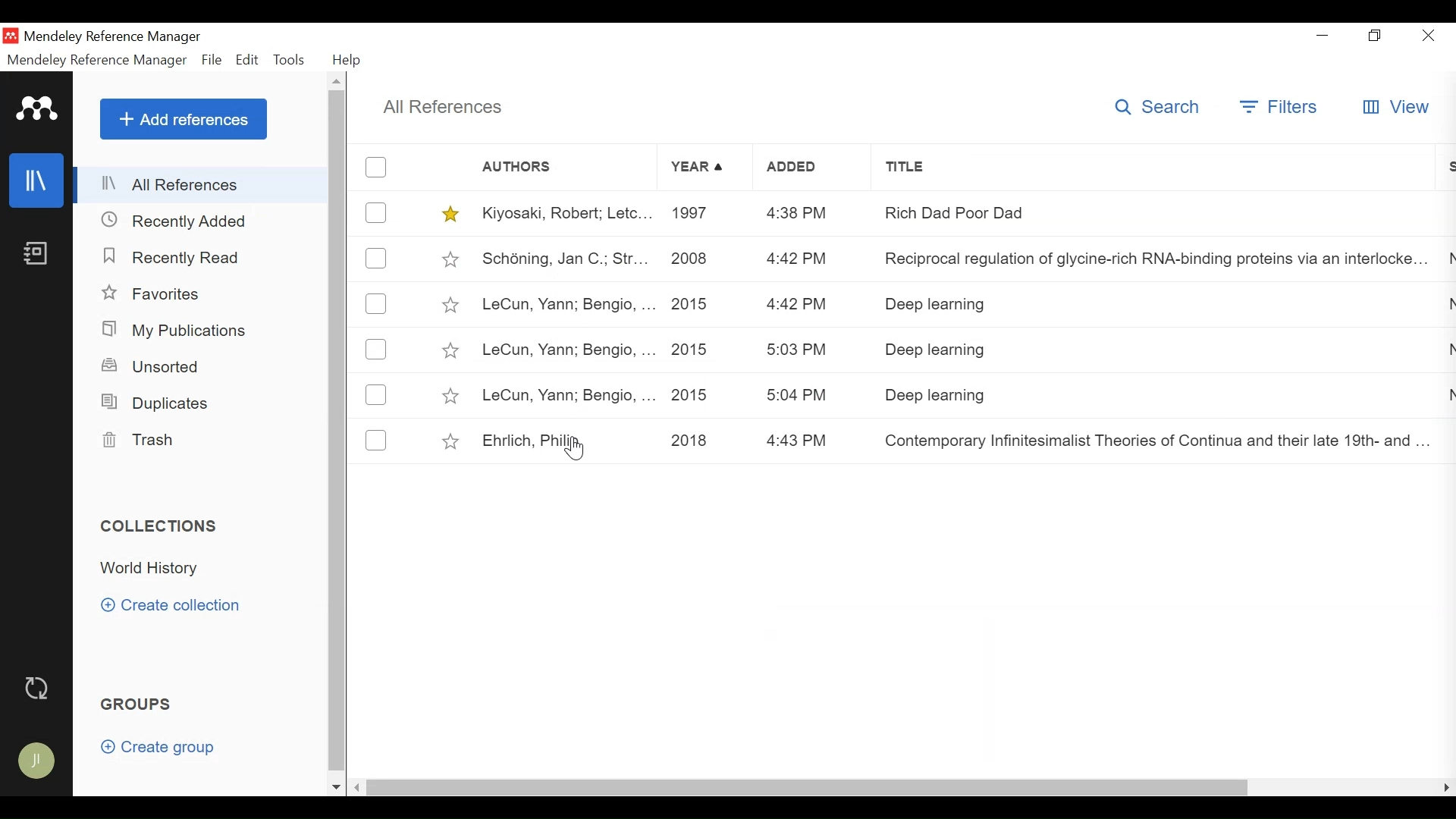  Describe the element at coordinates (37, 688) in the screenshot. I see `Sync` at that location.